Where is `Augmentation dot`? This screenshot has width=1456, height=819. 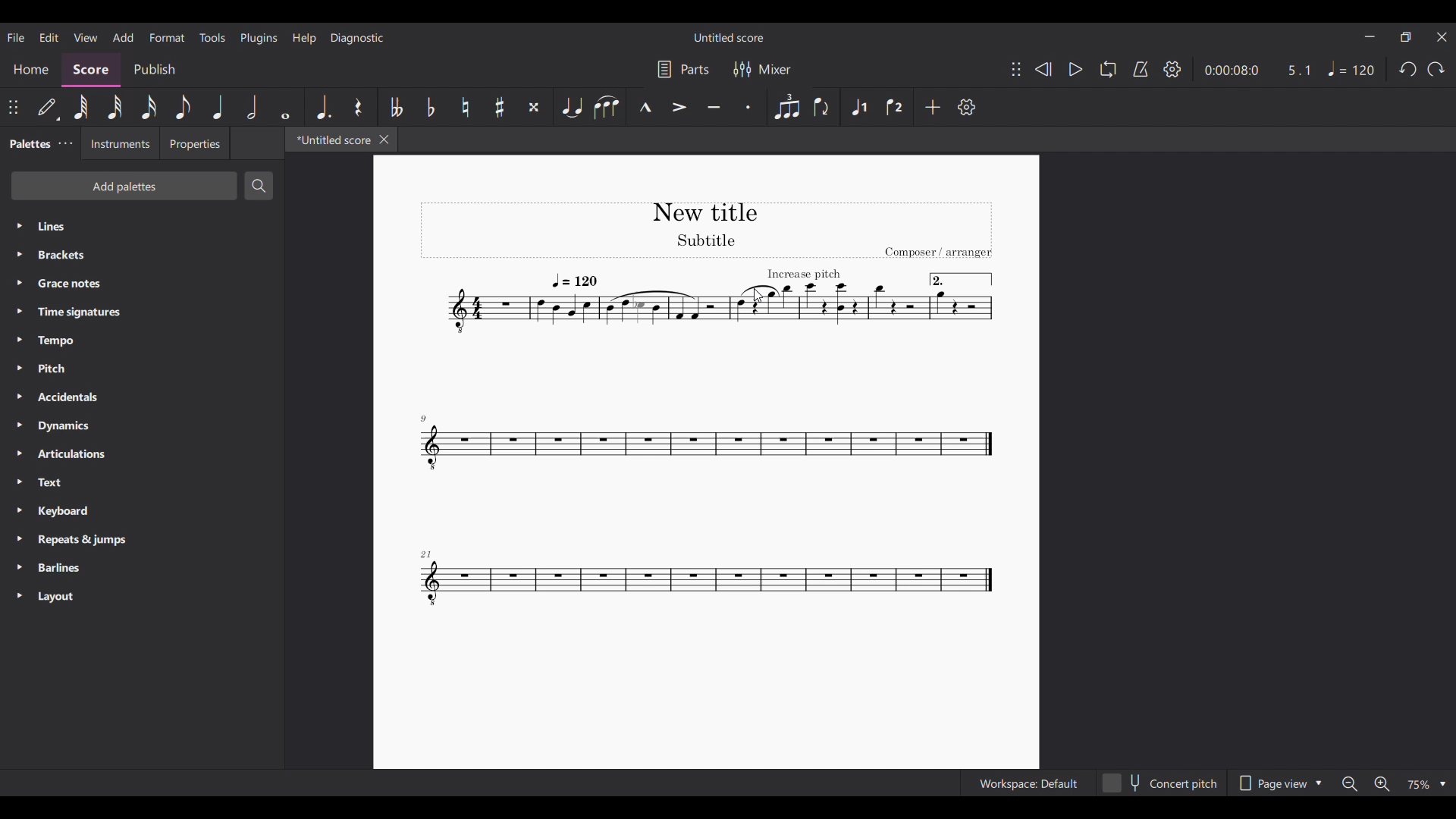
Augmentation dot is located at coordinates (324, 107).